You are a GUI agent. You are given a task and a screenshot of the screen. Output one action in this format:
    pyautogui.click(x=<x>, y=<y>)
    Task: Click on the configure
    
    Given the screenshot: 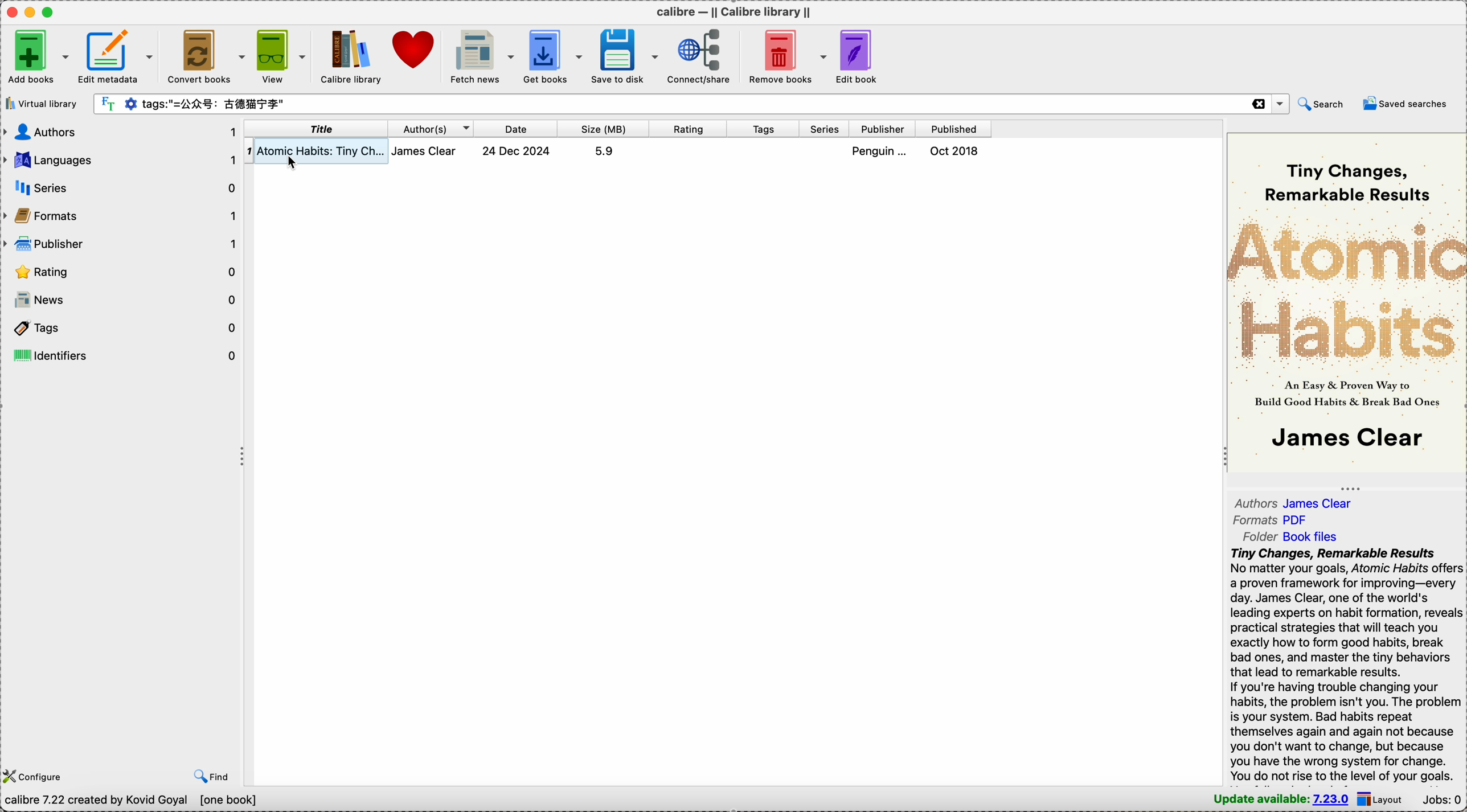 What is the action you would take?
    pyautogui.click(x=36, y=776)
    